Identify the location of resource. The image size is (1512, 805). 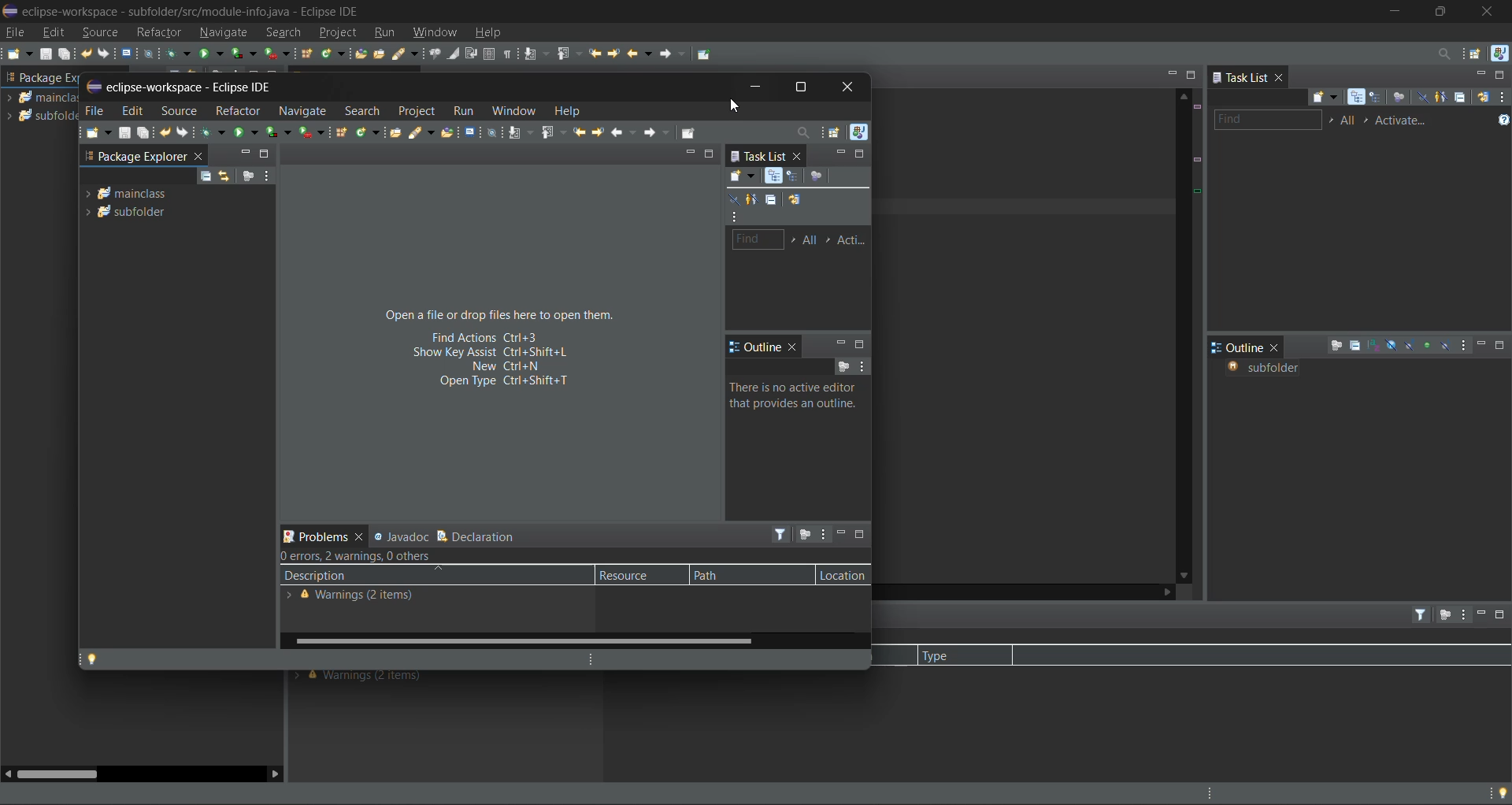
(628, 576).